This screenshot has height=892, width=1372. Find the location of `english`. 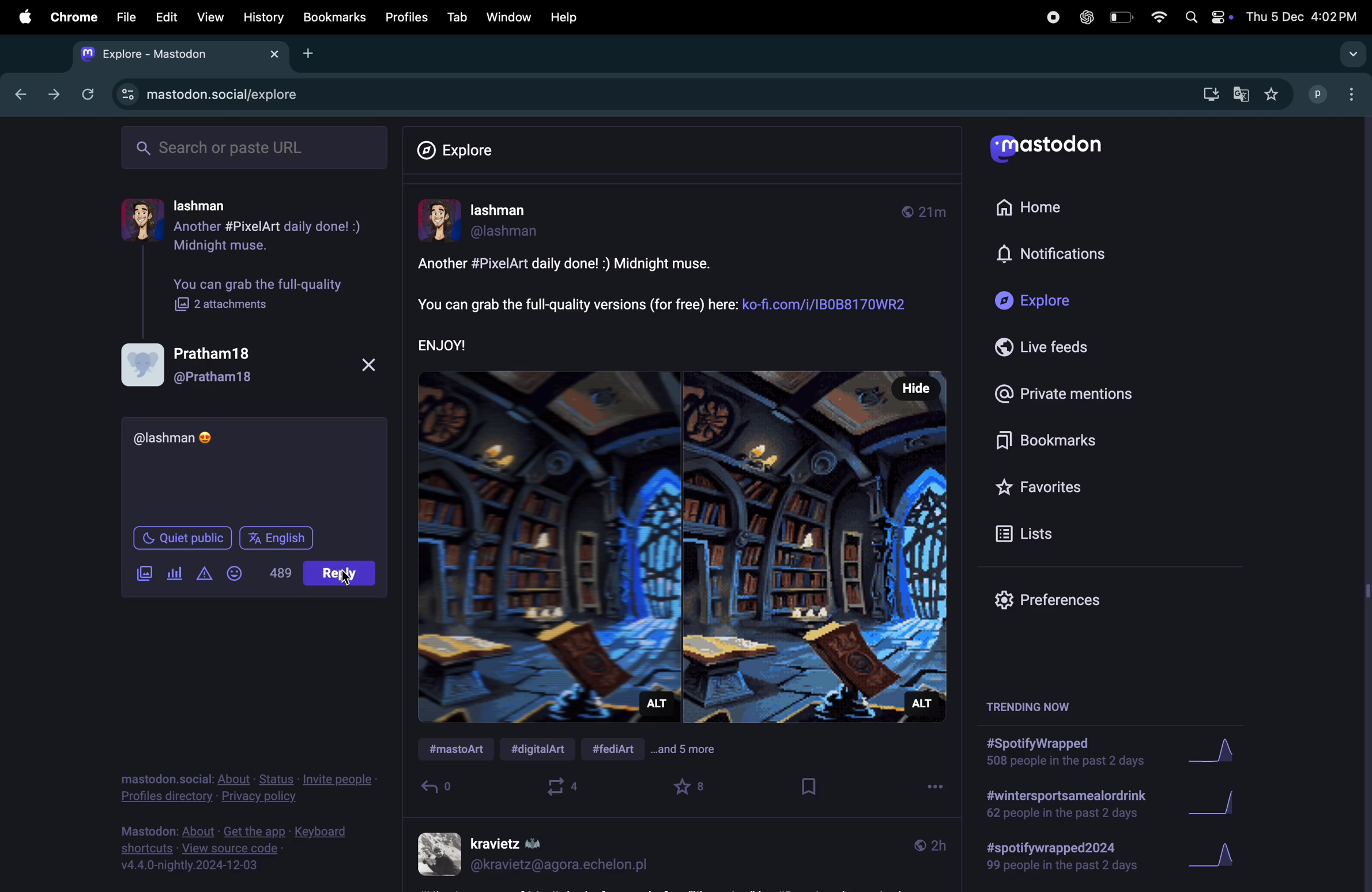

english is located at coordinates (280, 536).